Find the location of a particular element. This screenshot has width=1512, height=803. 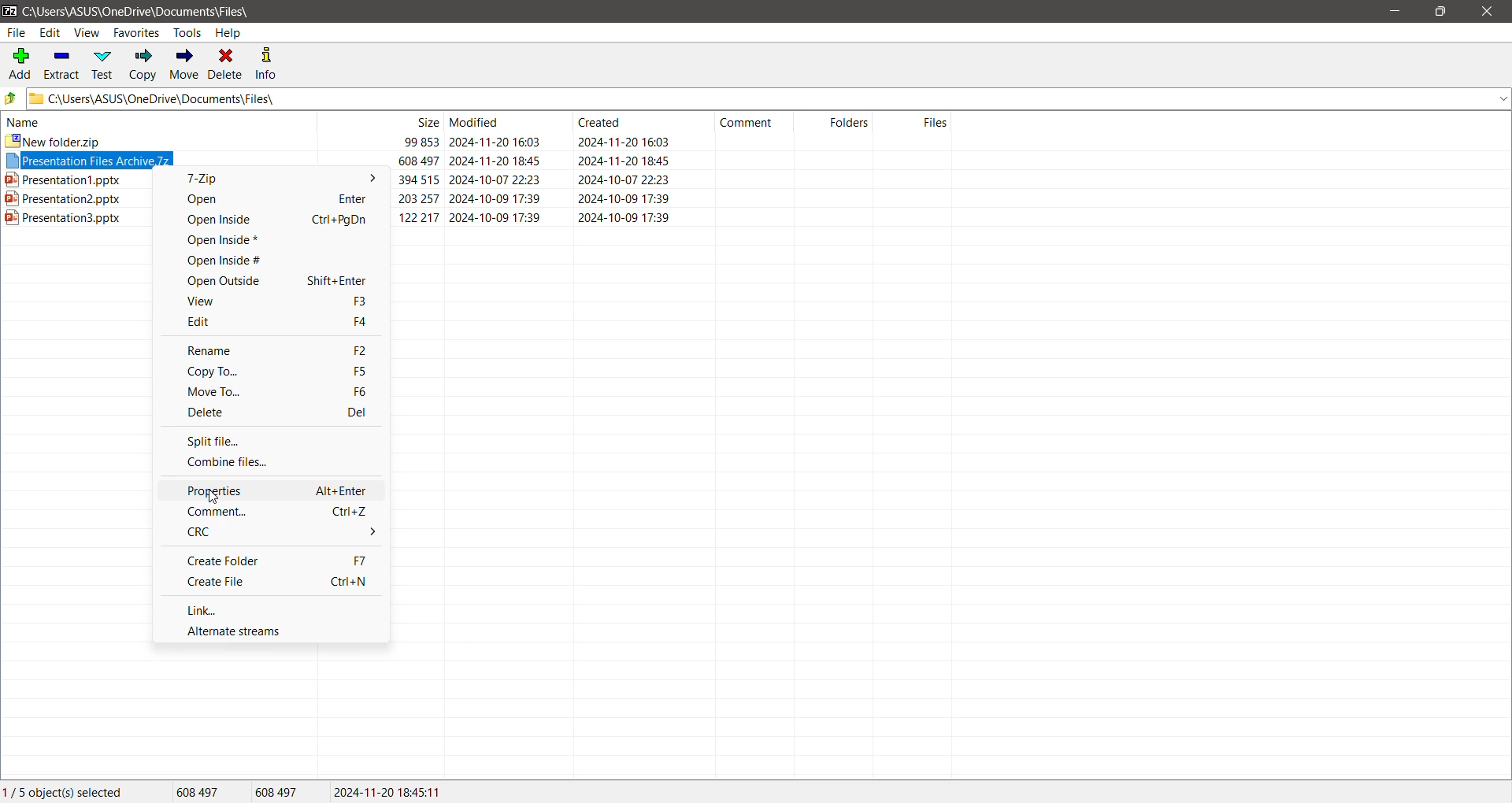

ppt2 is located at coordinates (678, 200).